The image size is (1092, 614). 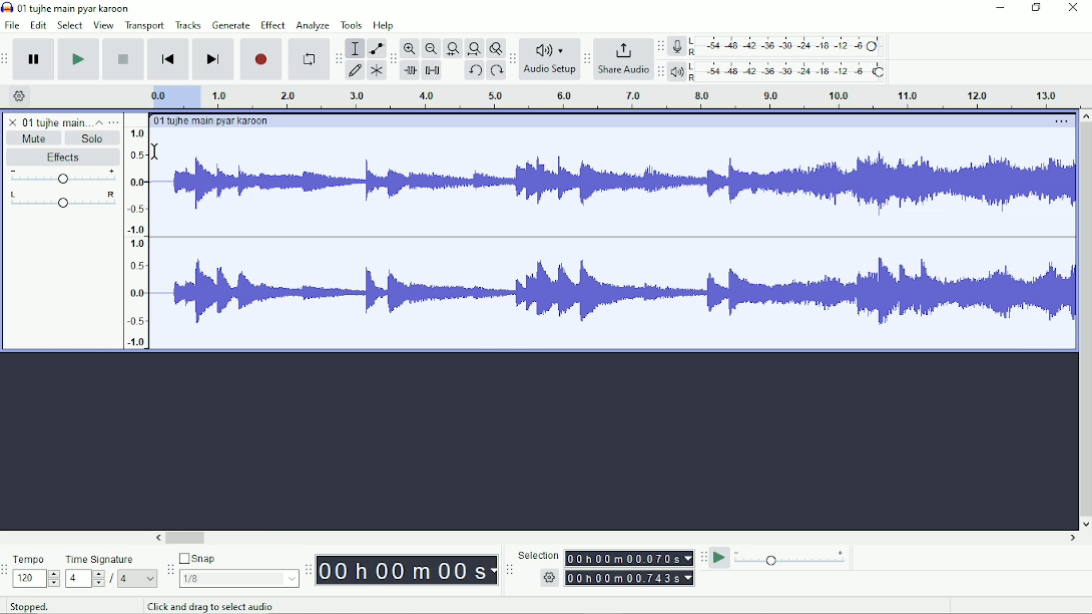 I want to click on 01 tujhe main pyar karoon, so click(x=78, y=8).